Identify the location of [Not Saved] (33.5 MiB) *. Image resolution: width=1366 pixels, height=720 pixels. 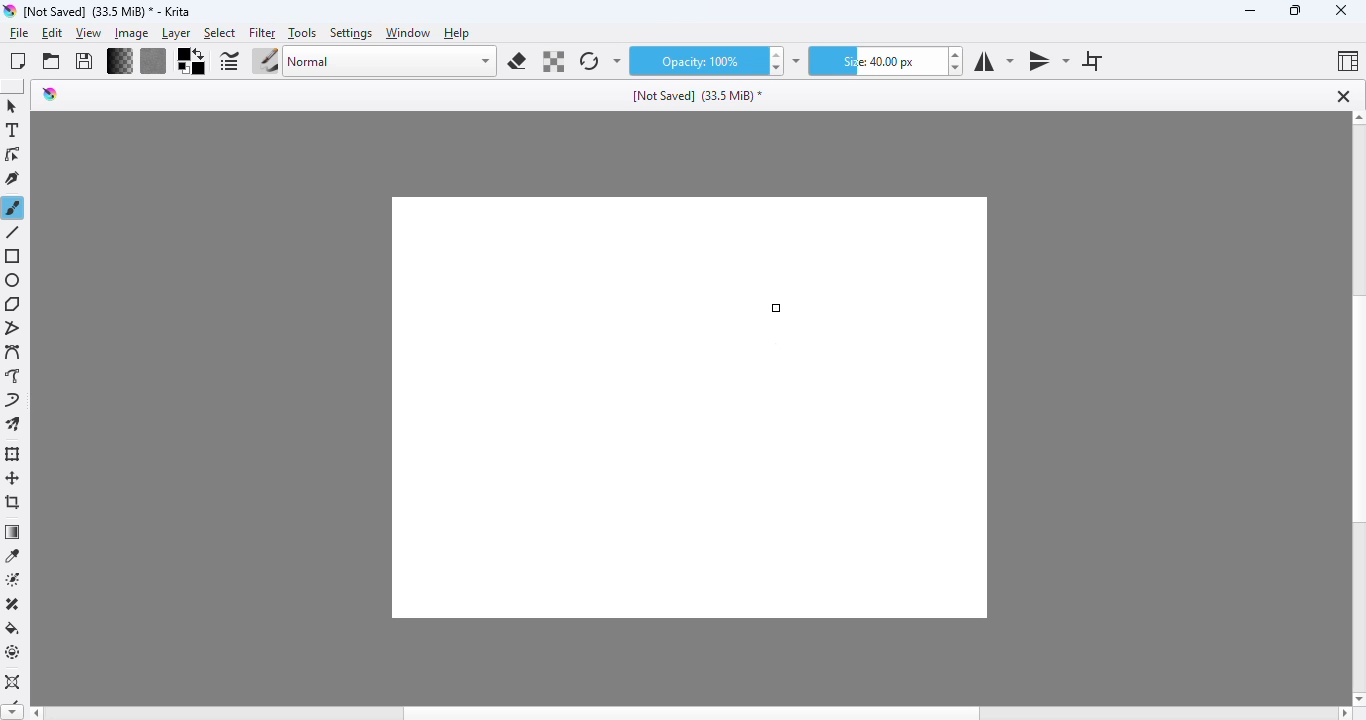
(698, 94).